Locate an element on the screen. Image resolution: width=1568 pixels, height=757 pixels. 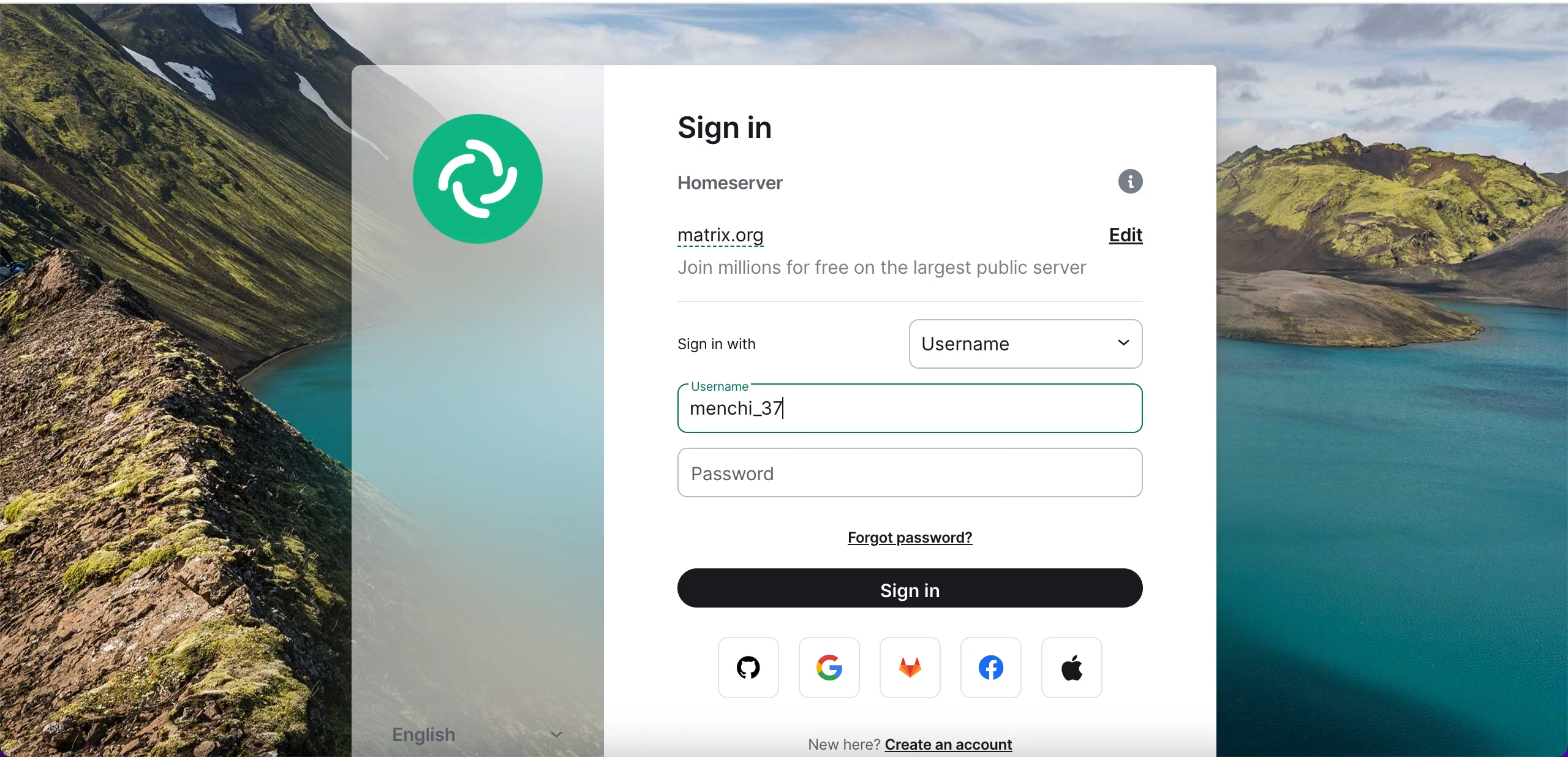
menchi_37 is located at coordinates (766, 413).